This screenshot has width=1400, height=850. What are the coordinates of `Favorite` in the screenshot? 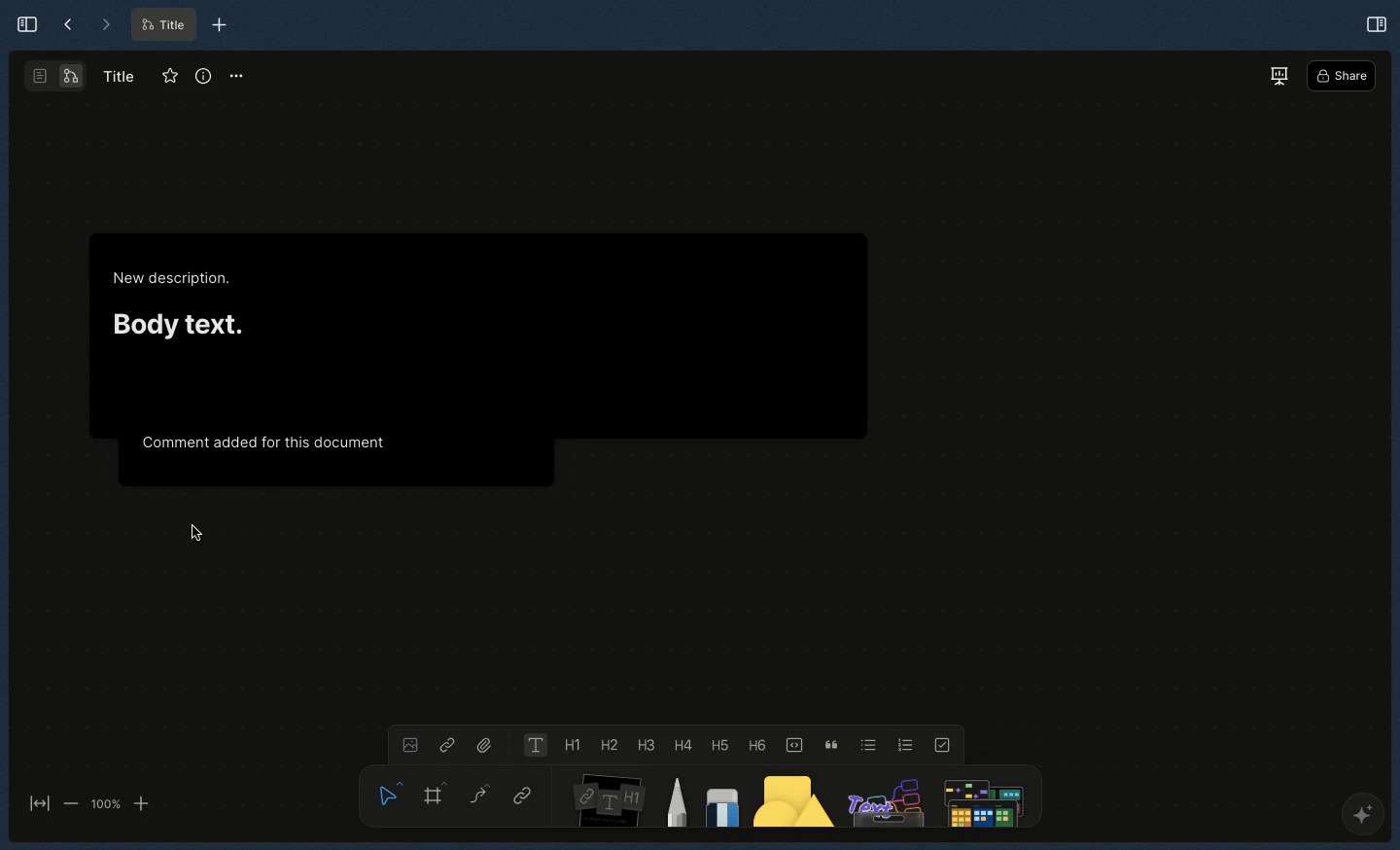 It's located at (166, 77).